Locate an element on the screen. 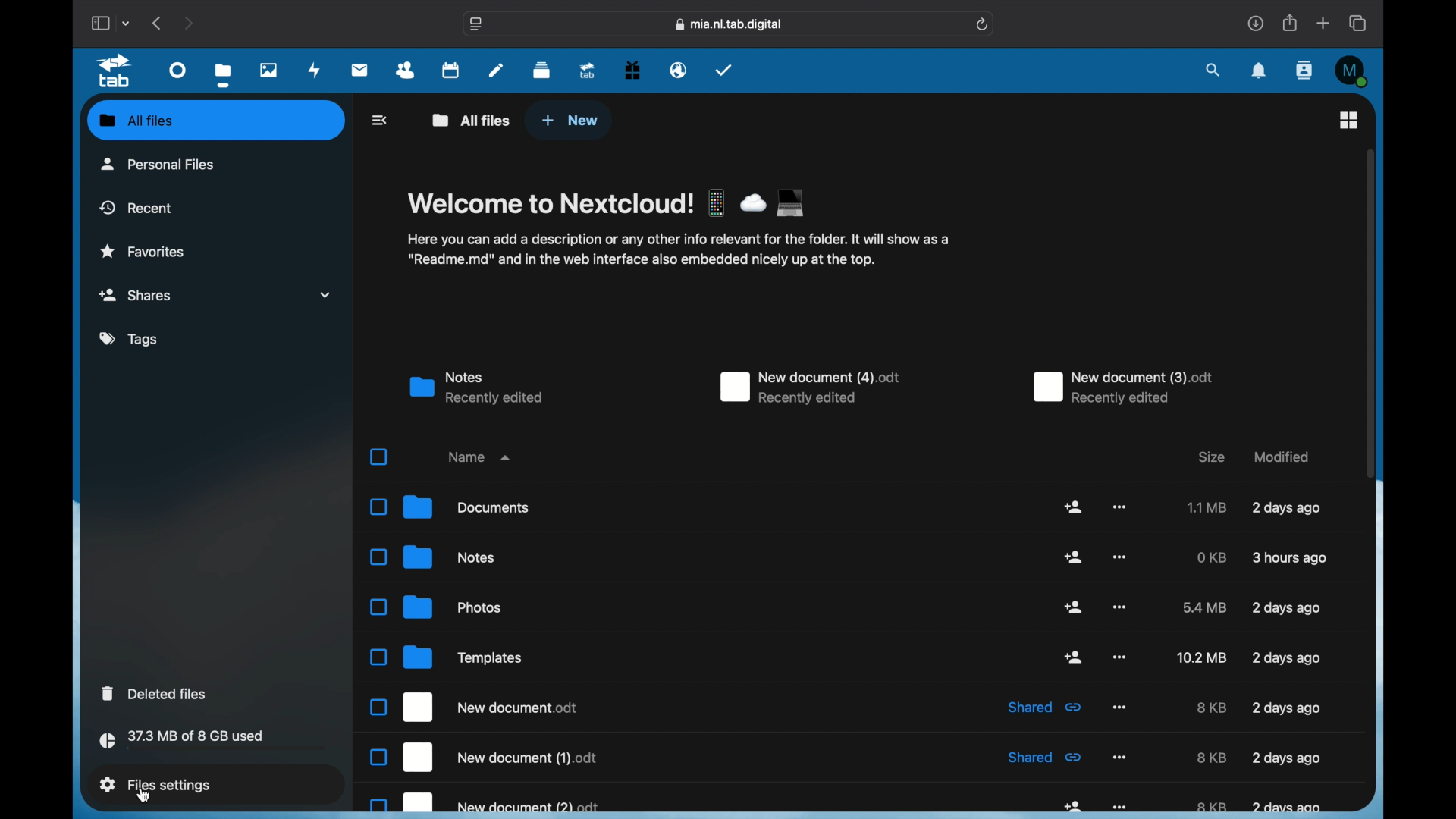  downloads is located at coordinates (1256, 23).